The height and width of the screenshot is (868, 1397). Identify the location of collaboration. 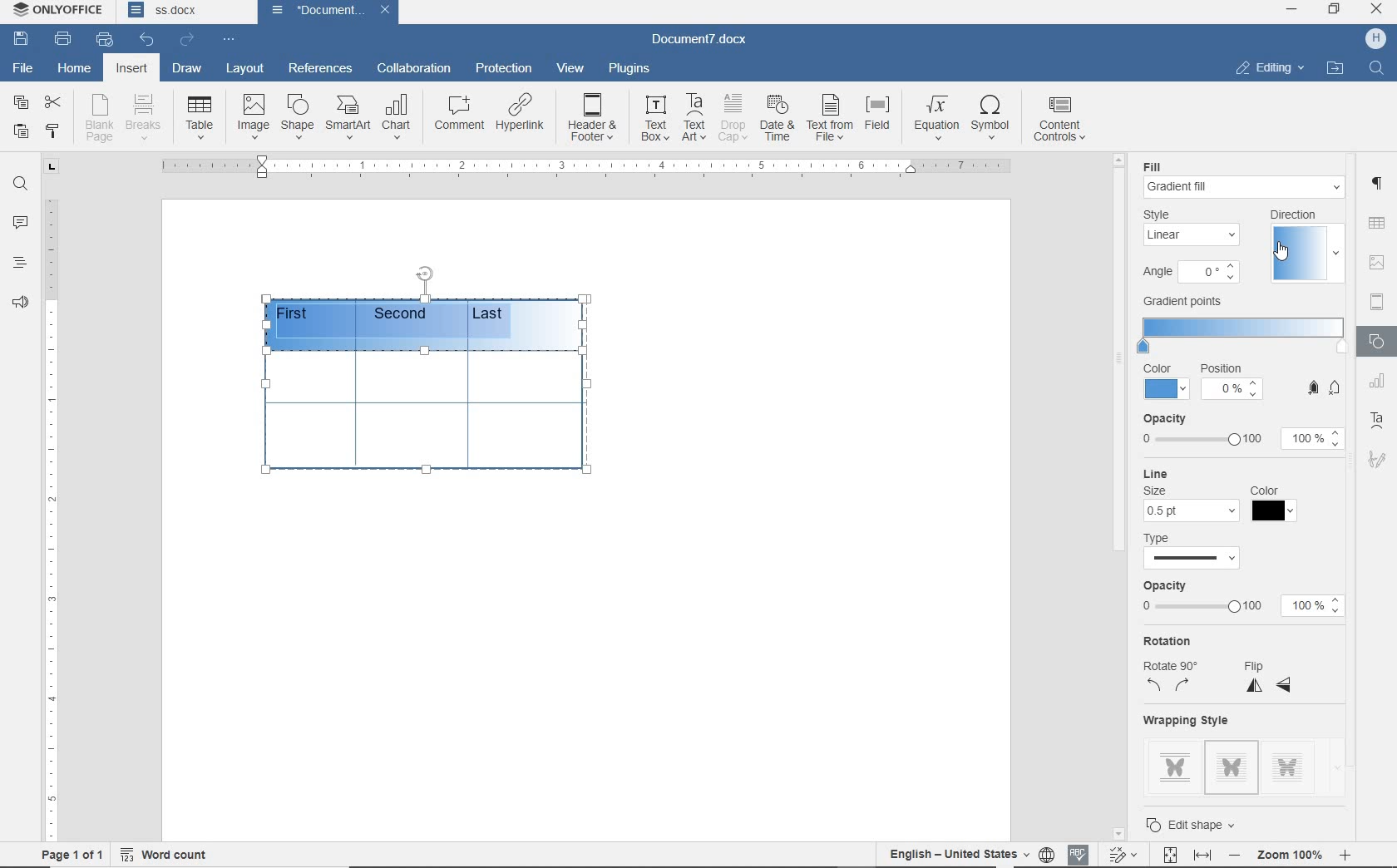
(416, 69).